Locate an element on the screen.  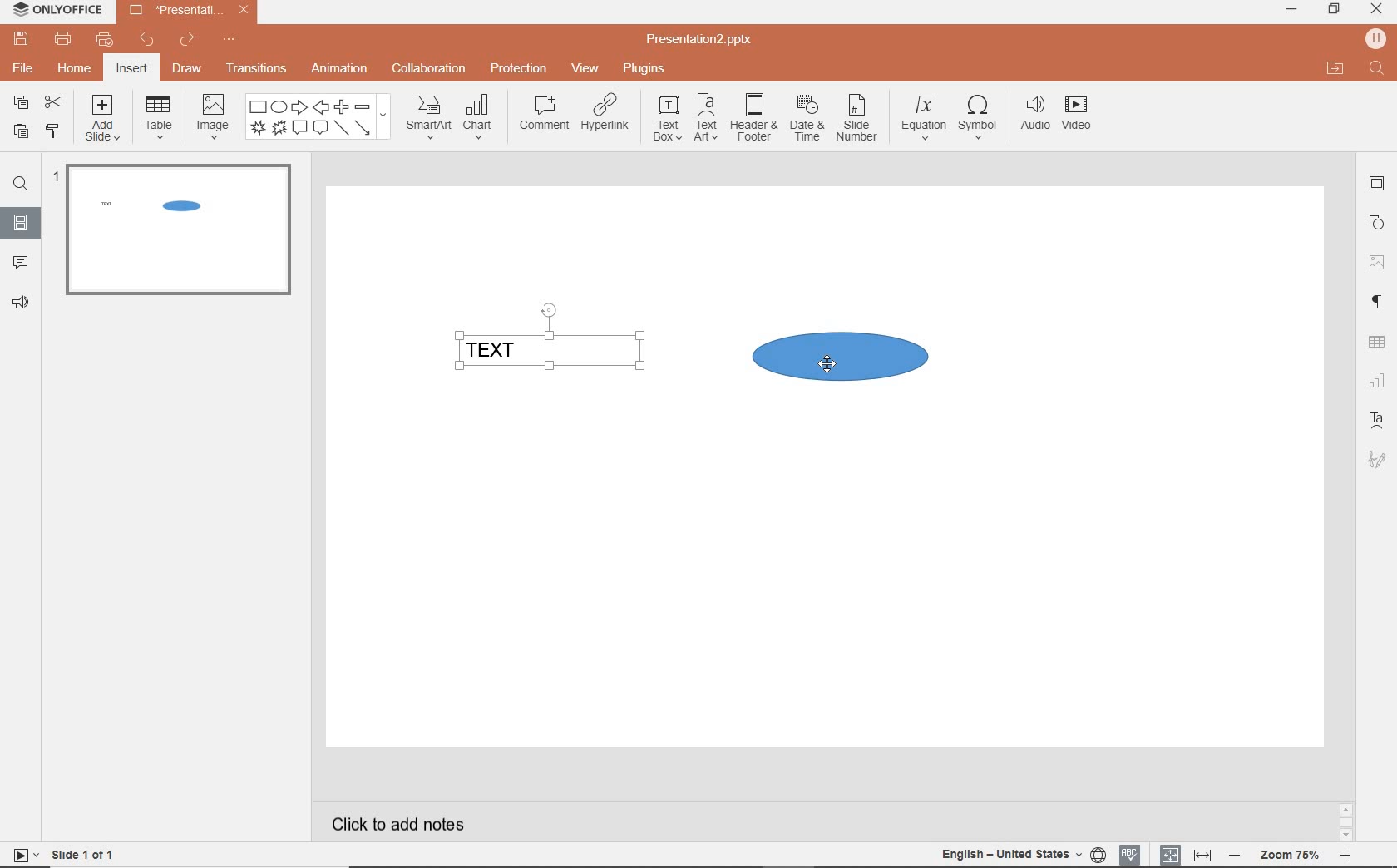
hyperlink is located at coordinates (606, 114).